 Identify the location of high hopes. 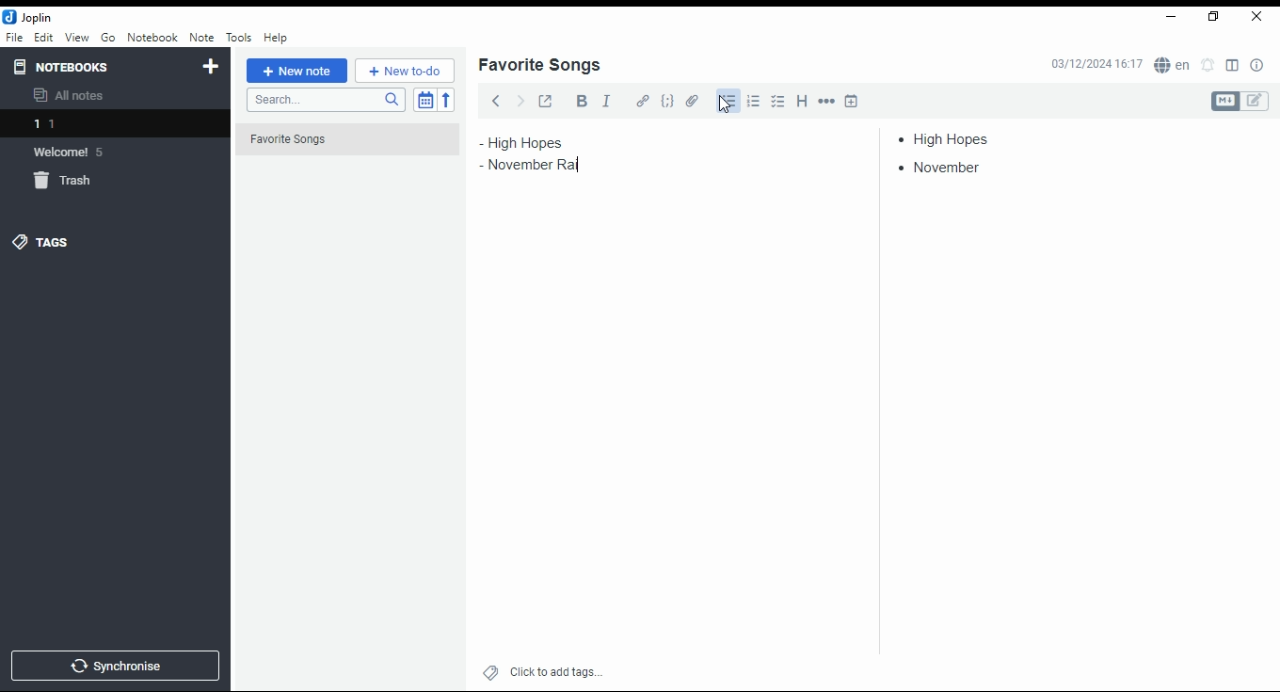
(547, 143).